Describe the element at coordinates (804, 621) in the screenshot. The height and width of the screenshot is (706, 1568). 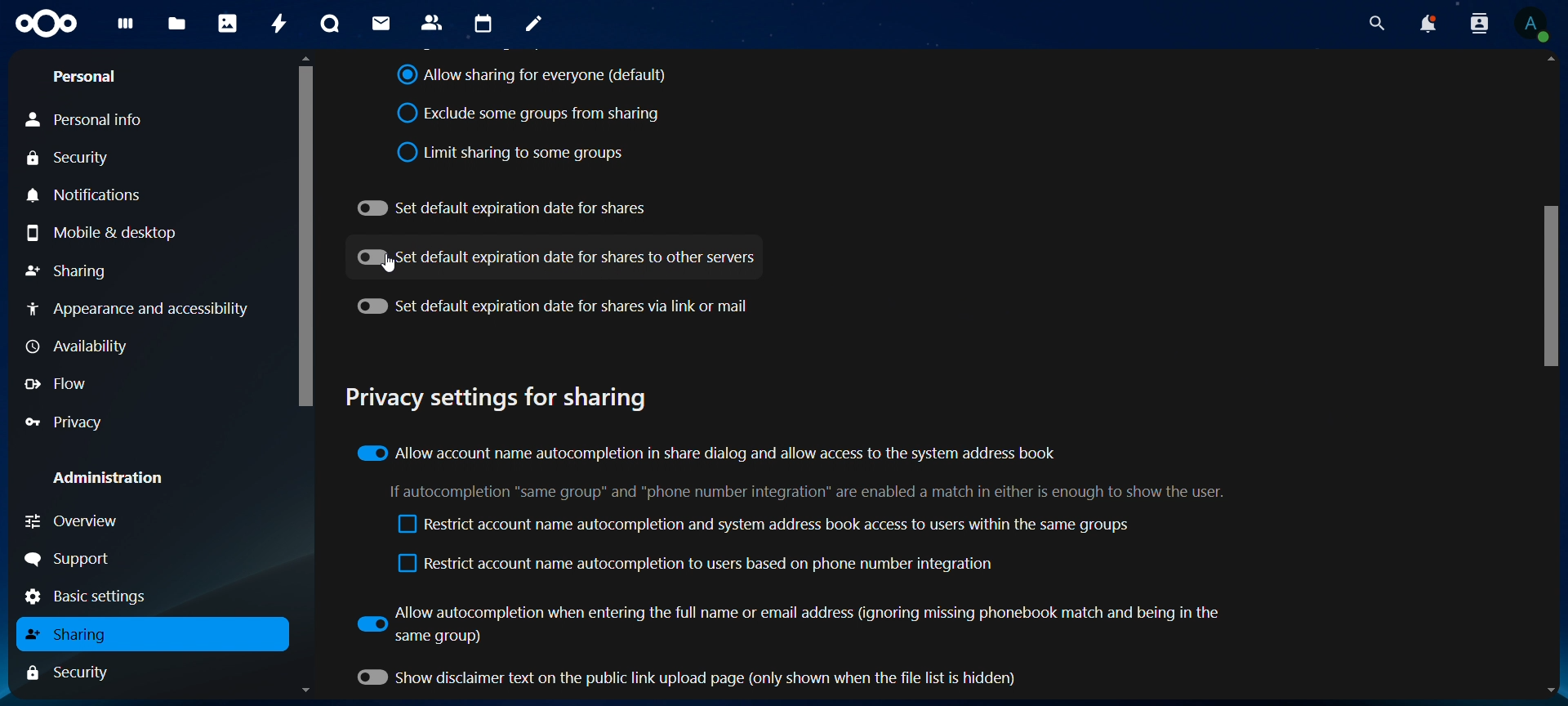
I see `allow autocompletion when entering the full name or email address` at that location.